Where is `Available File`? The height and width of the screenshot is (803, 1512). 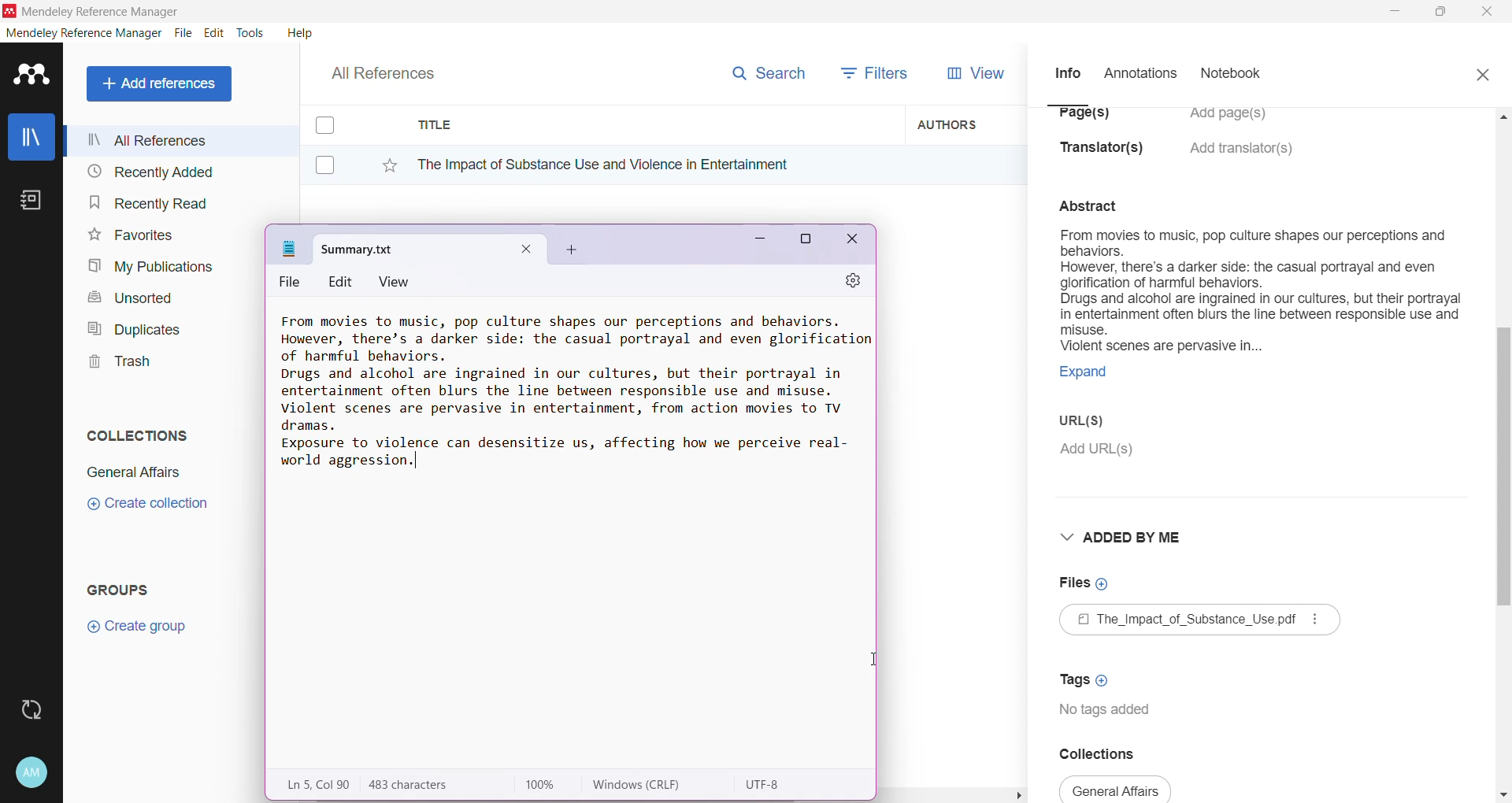
Available File is located at coordinates (1202, 622).